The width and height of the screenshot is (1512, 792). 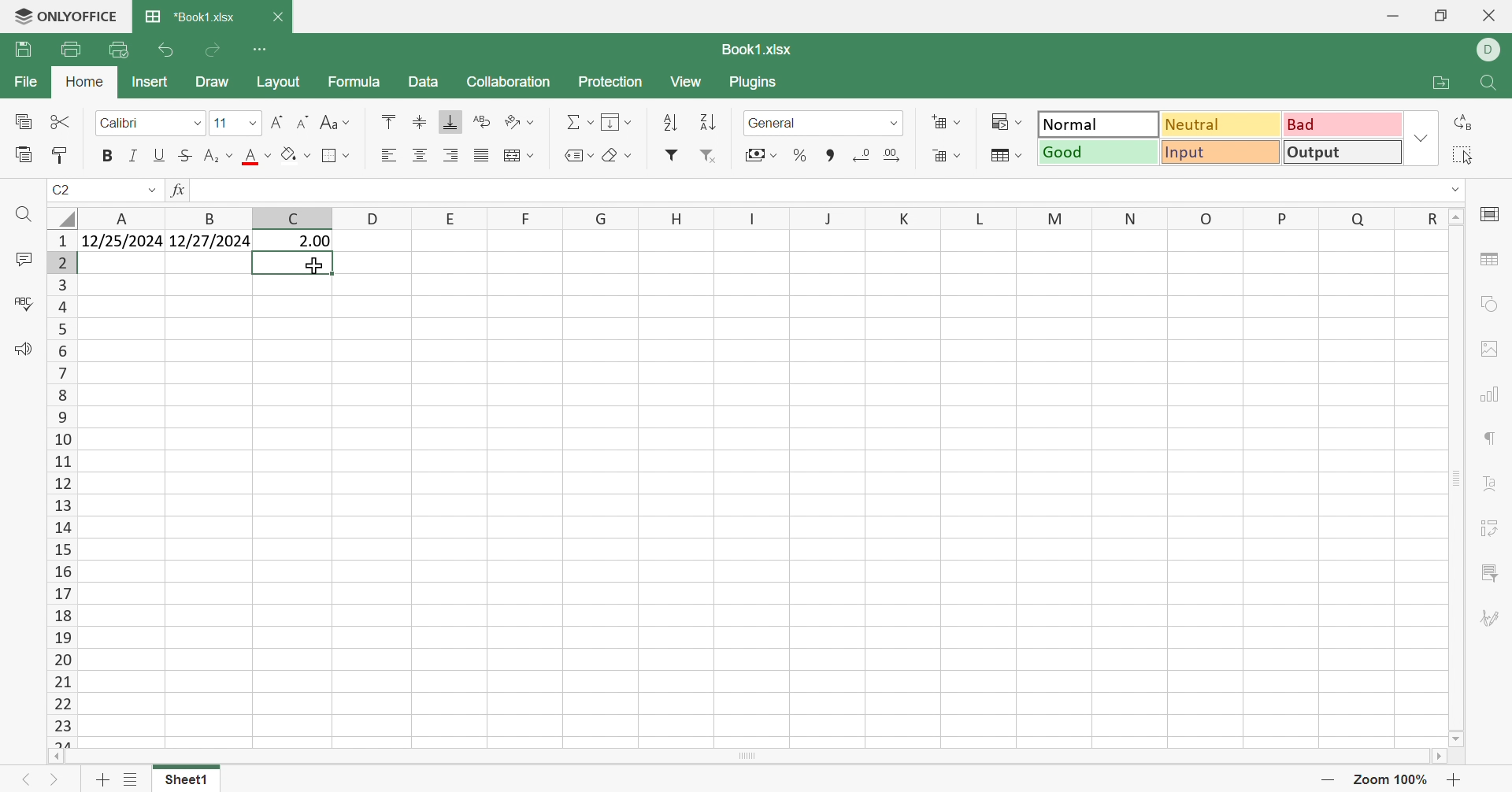 What do you see at coordinates (258, 157) in the screenshot?
I see `Fill color` at bounding box center [258, 157].